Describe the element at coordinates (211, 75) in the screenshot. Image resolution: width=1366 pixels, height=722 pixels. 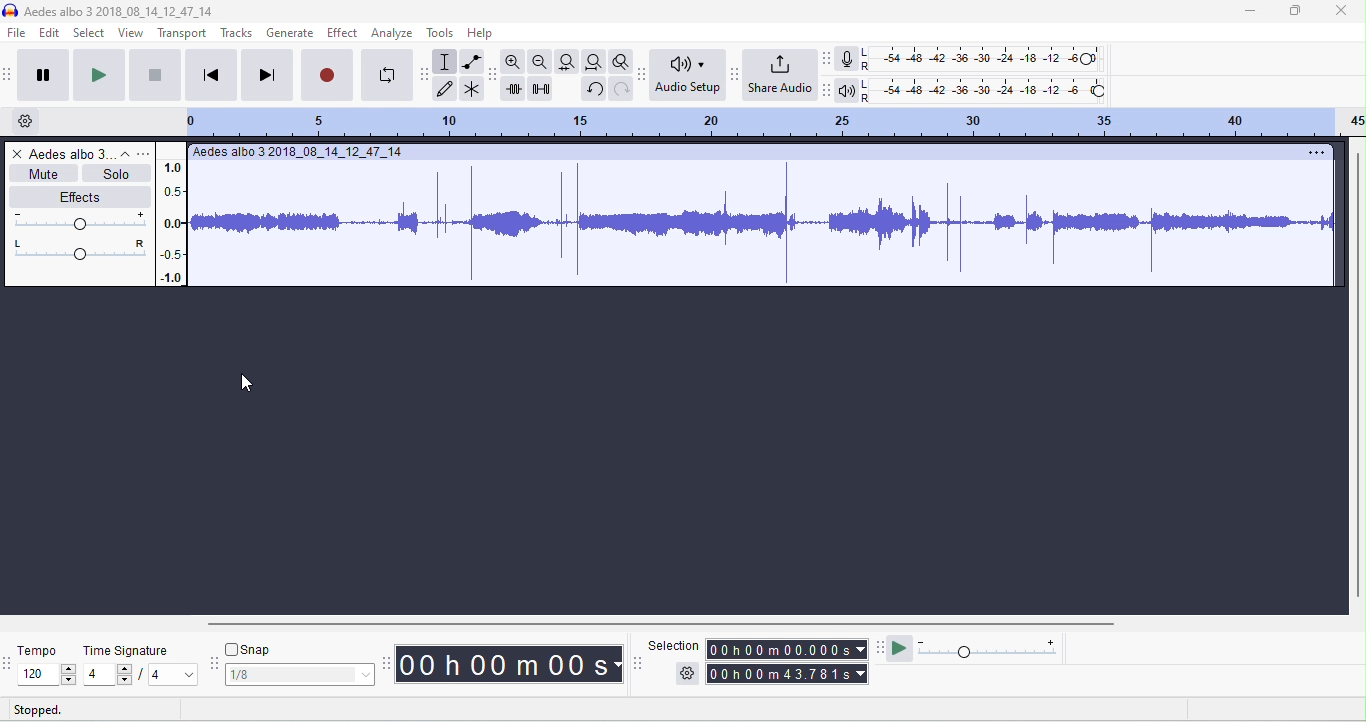
I see `skip to start` at that location.